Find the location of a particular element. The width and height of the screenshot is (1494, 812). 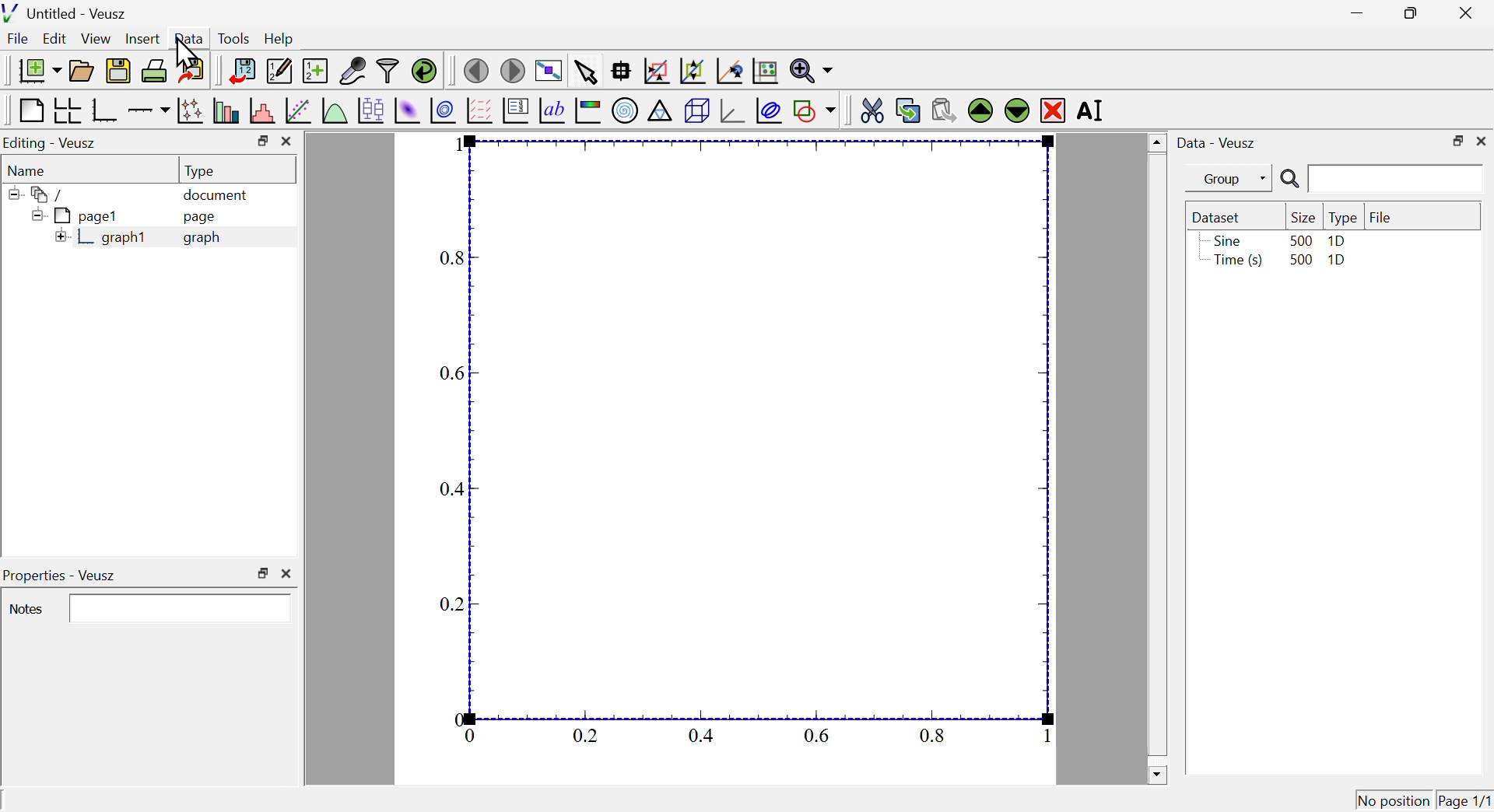

0.2 is located at coordinates (452, 606).